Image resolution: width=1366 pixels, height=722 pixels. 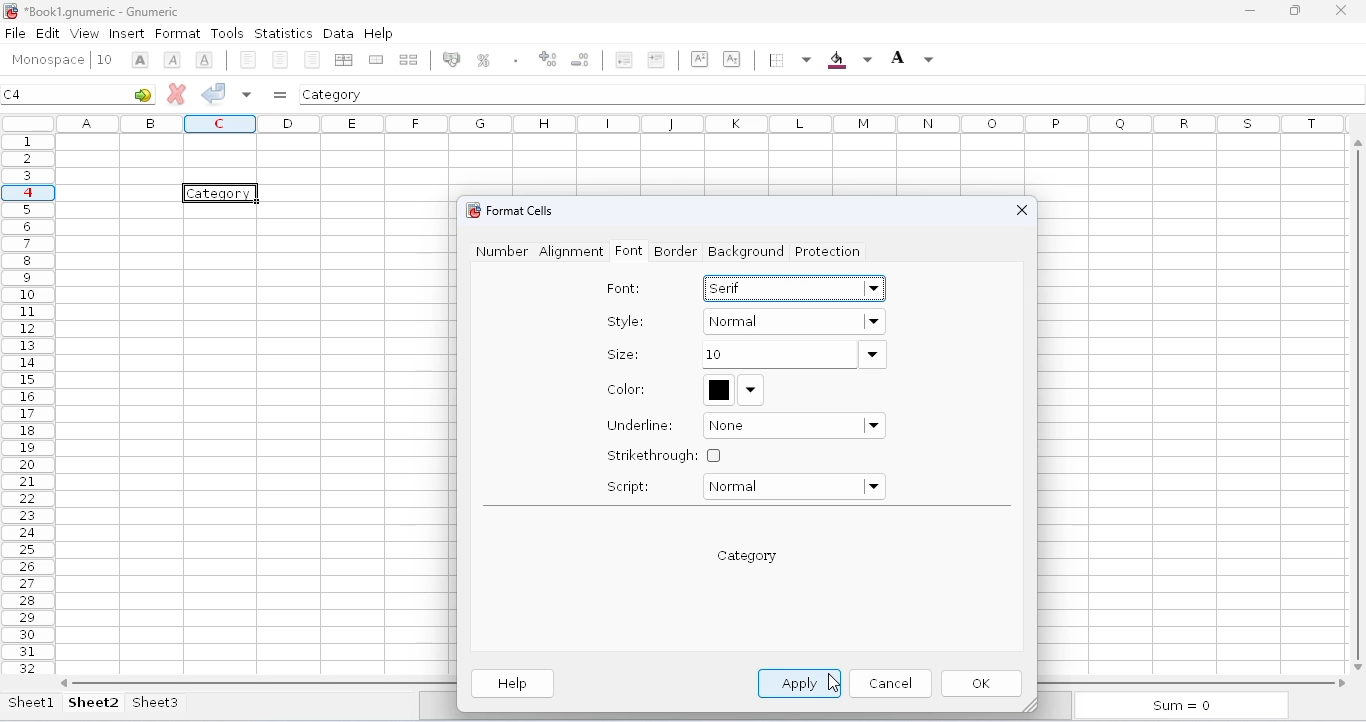 I want to click on cursor, so click(x=834, y=683).